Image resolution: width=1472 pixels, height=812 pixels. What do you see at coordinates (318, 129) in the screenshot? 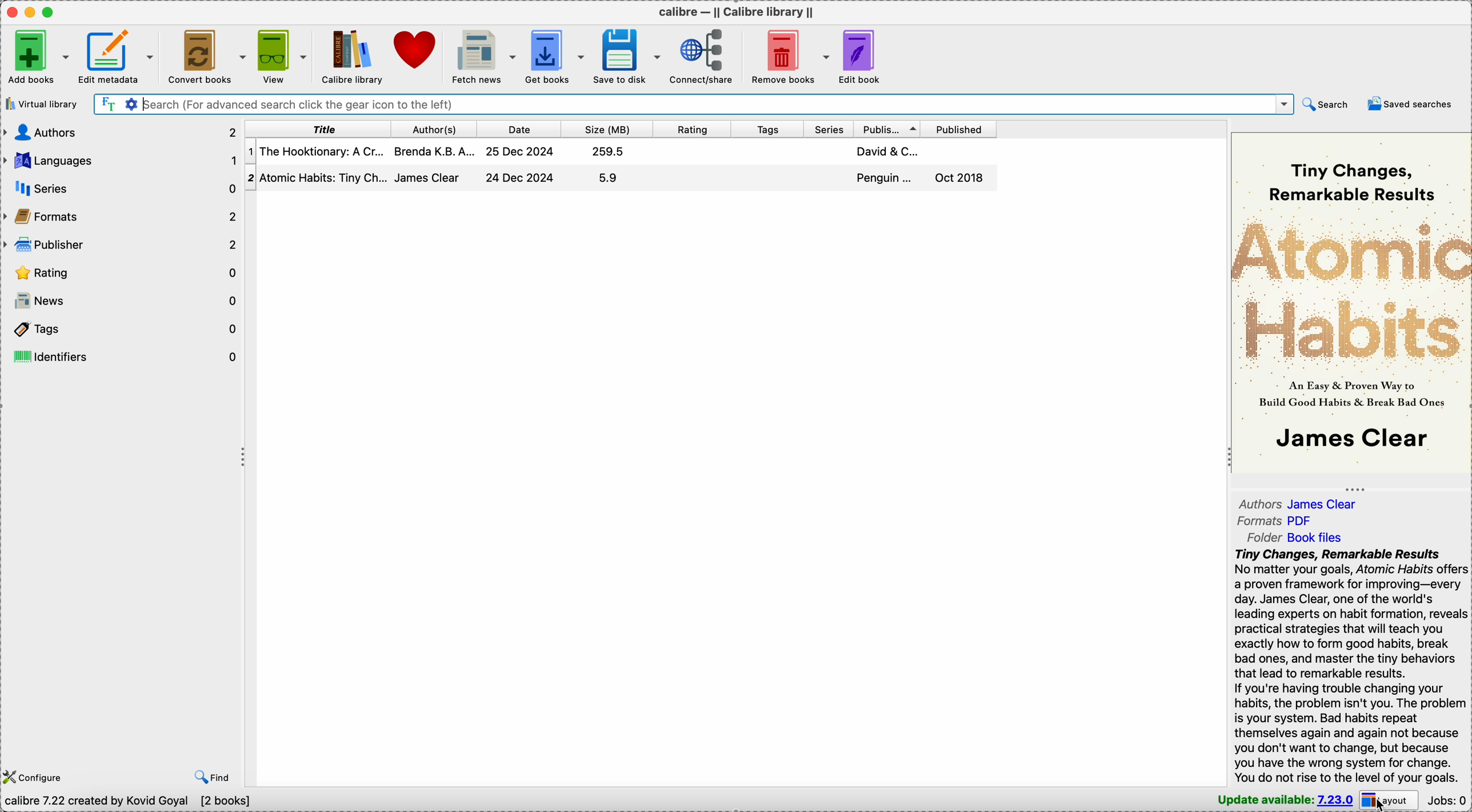
I see `title` at bounding box center [318, 129].